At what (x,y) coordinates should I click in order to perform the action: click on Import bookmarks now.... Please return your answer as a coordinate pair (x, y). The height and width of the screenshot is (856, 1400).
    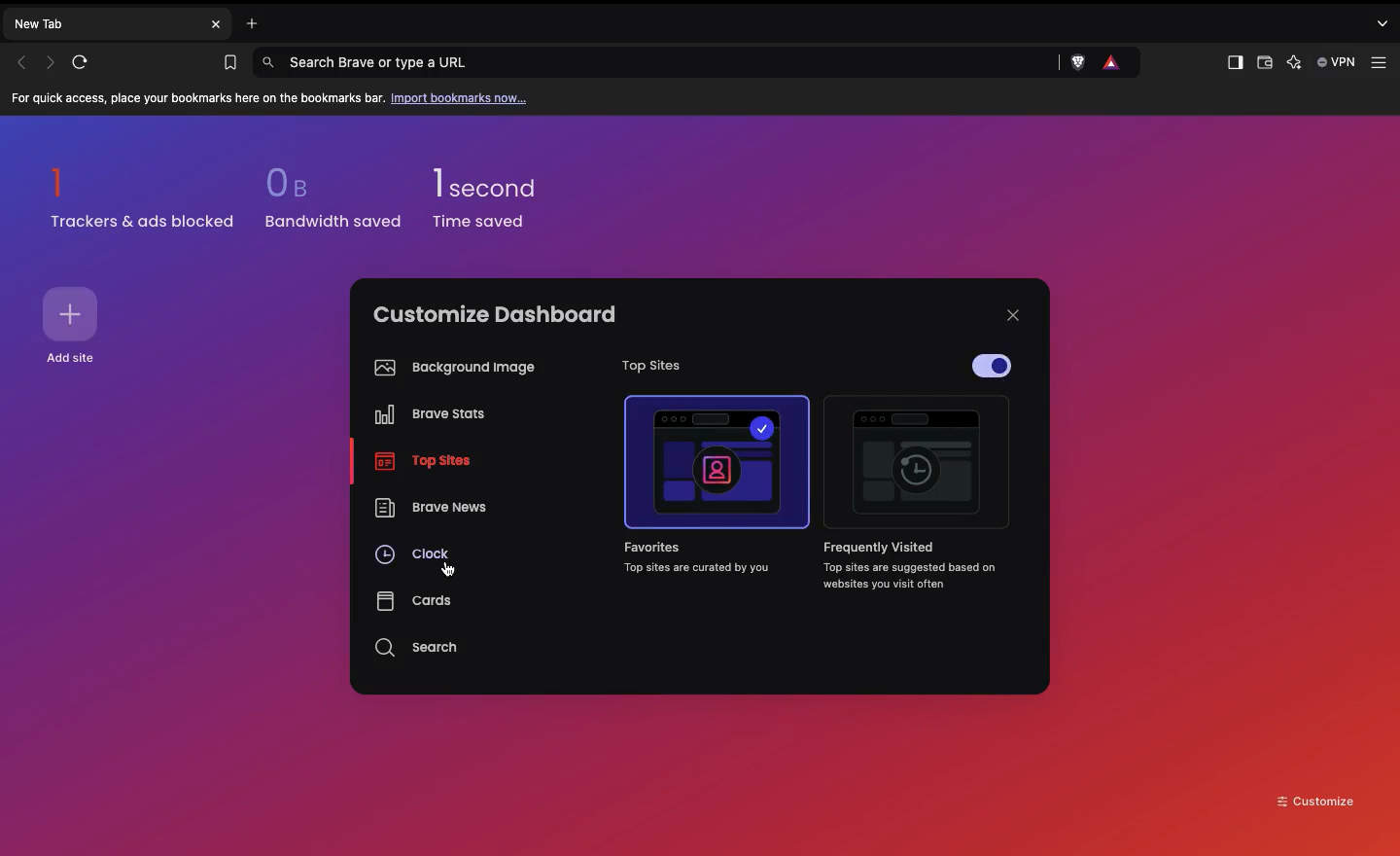
    Looking at the image, I should click on (463, 97).